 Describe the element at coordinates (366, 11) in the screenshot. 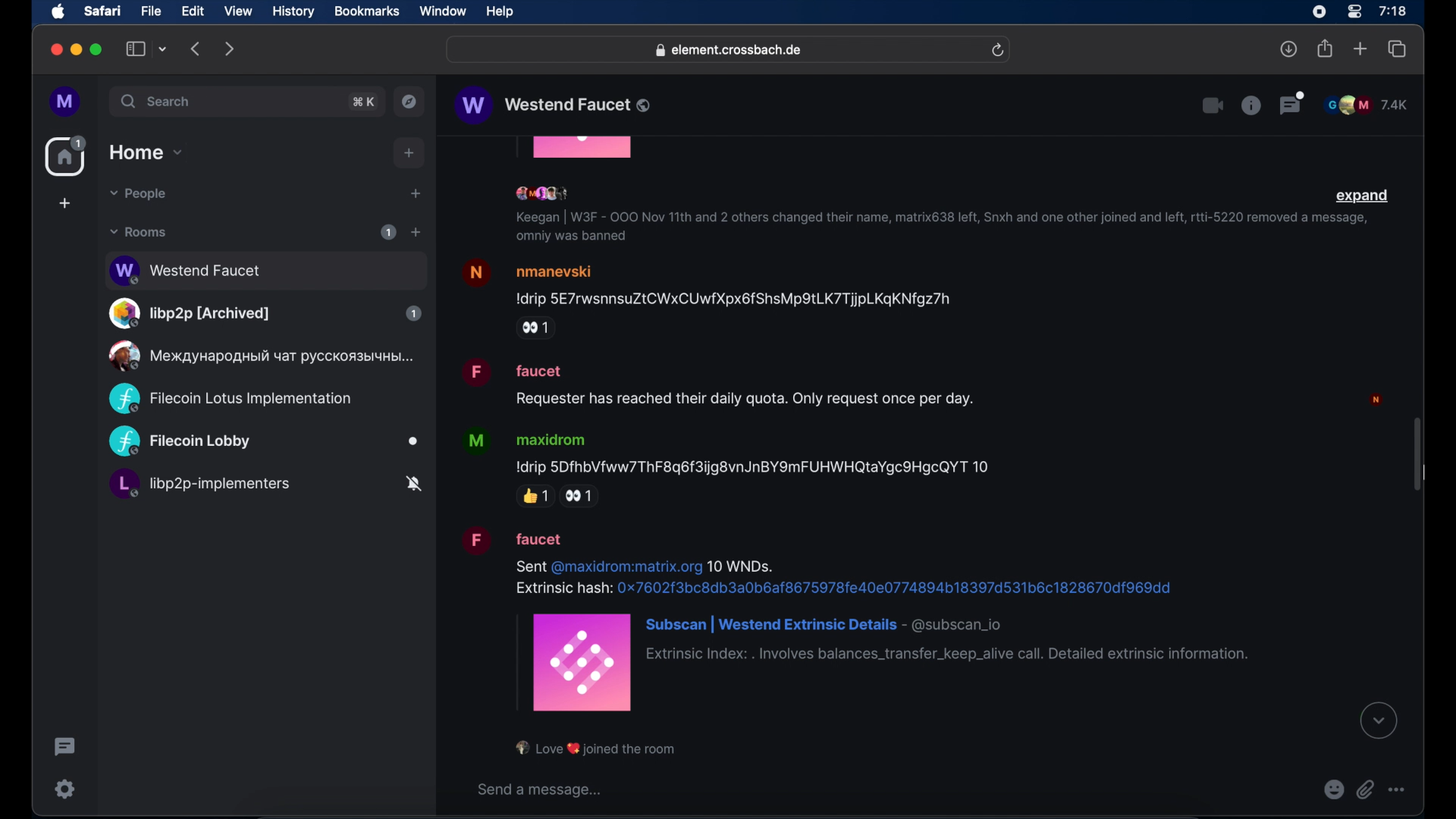

I see `bookmarks` at that location.